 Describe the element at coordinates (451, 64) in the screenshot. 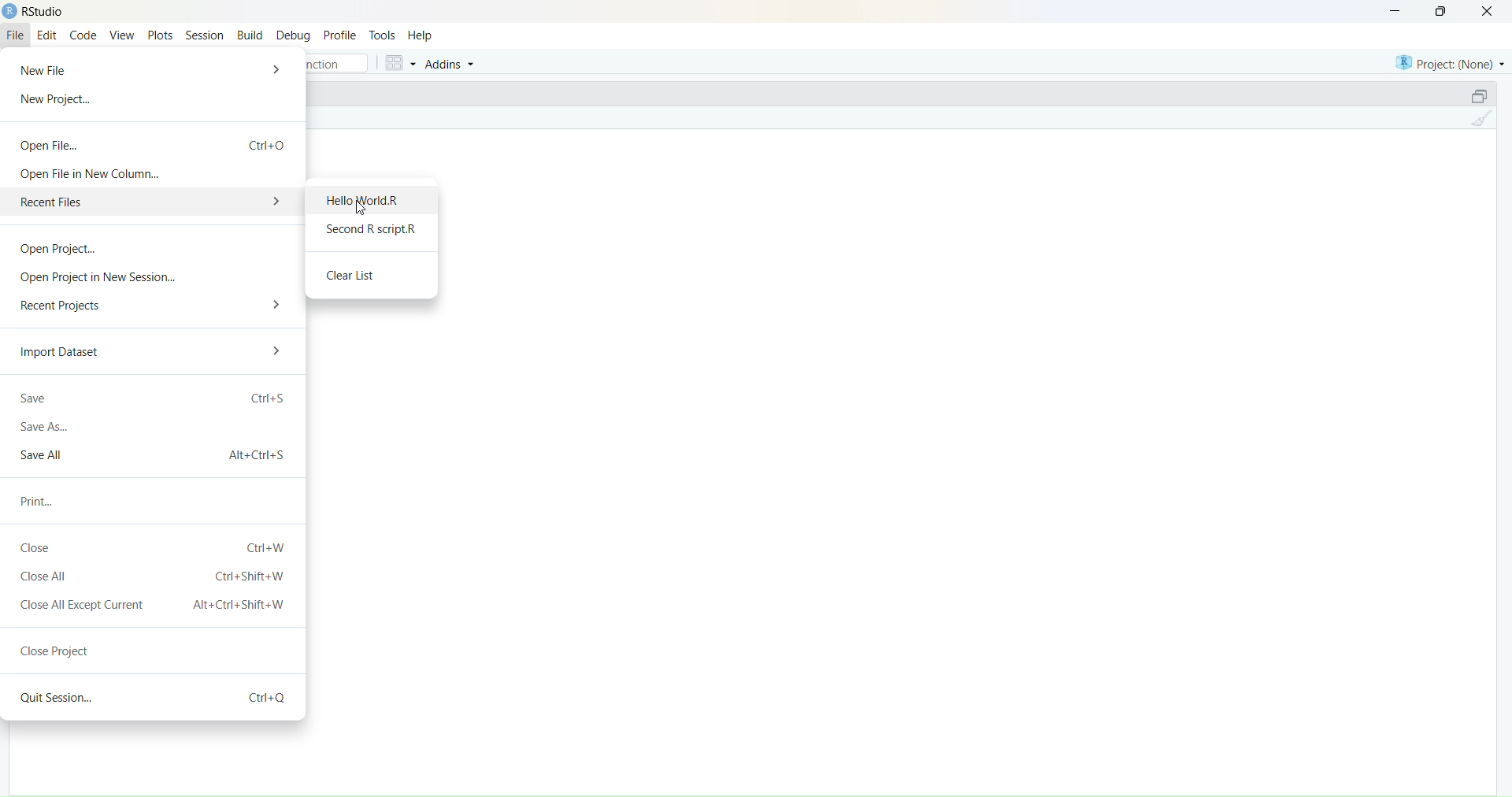

I see `Addins` at that location.